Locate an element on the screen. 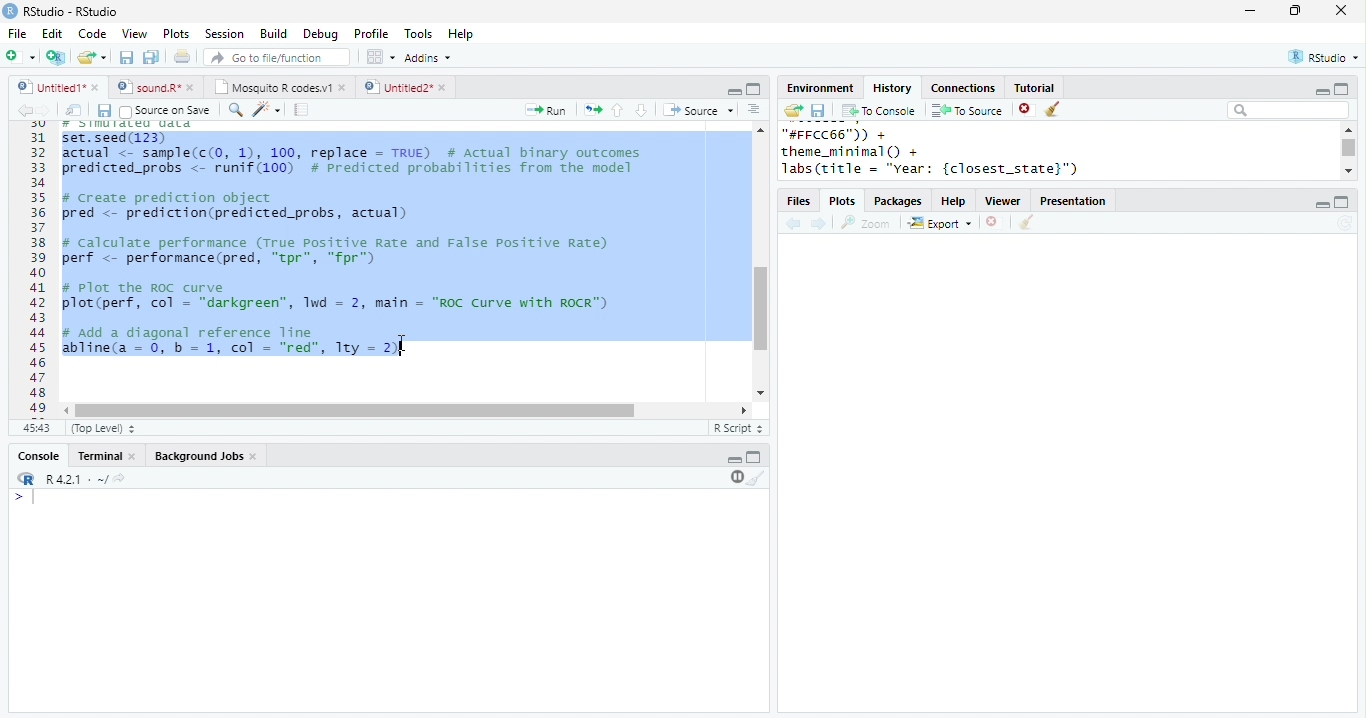  Tutorial is located at coordinates (1033, 87).